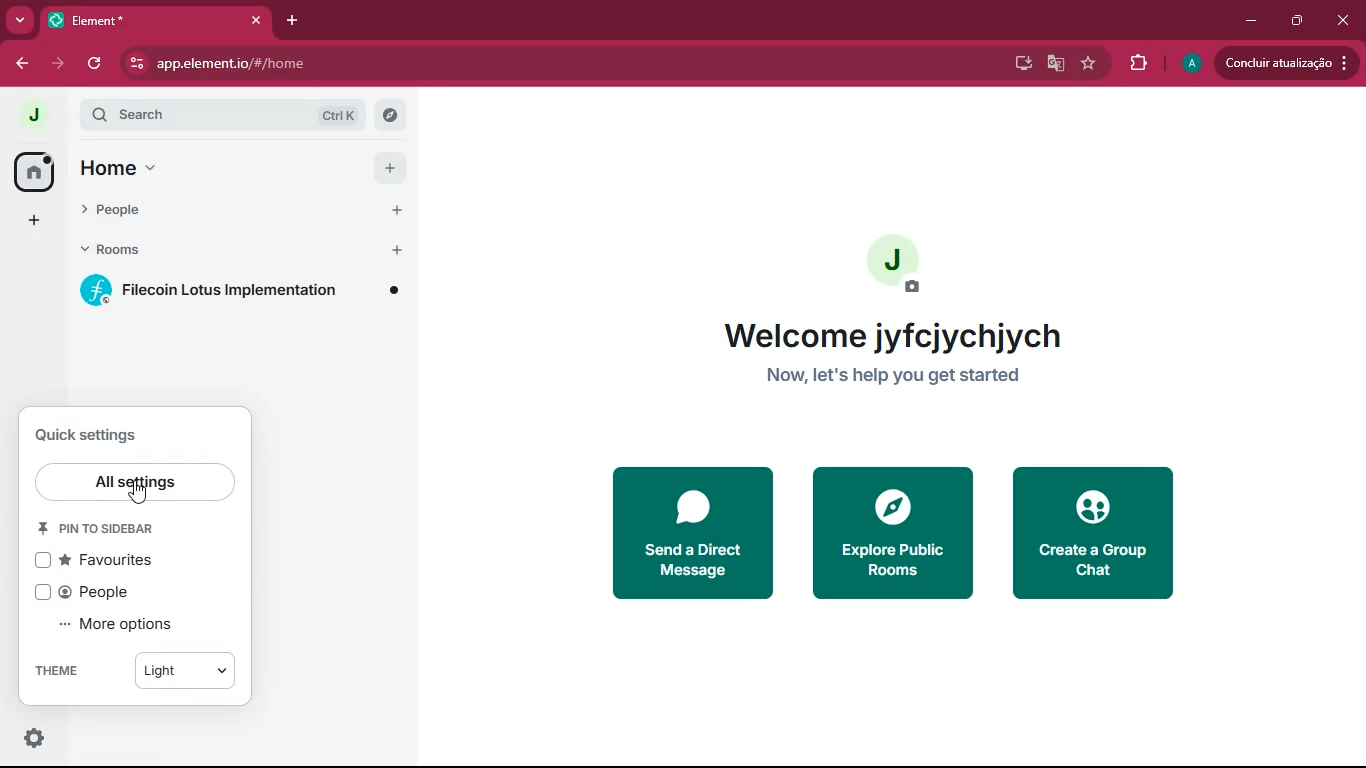 The width and height of the screenshot is (1366, 768). I want to click on add, so click(390, 168).